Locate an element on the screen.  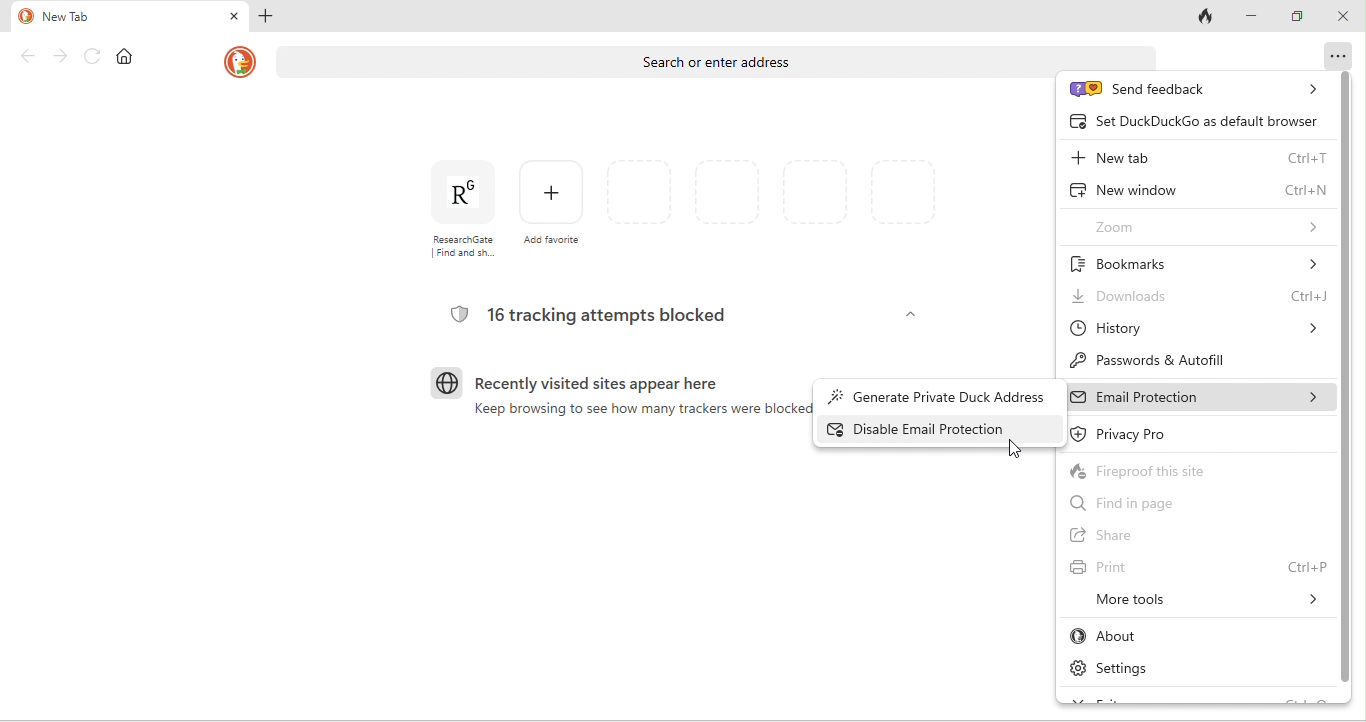
reload is located at coordinates (94, 57).